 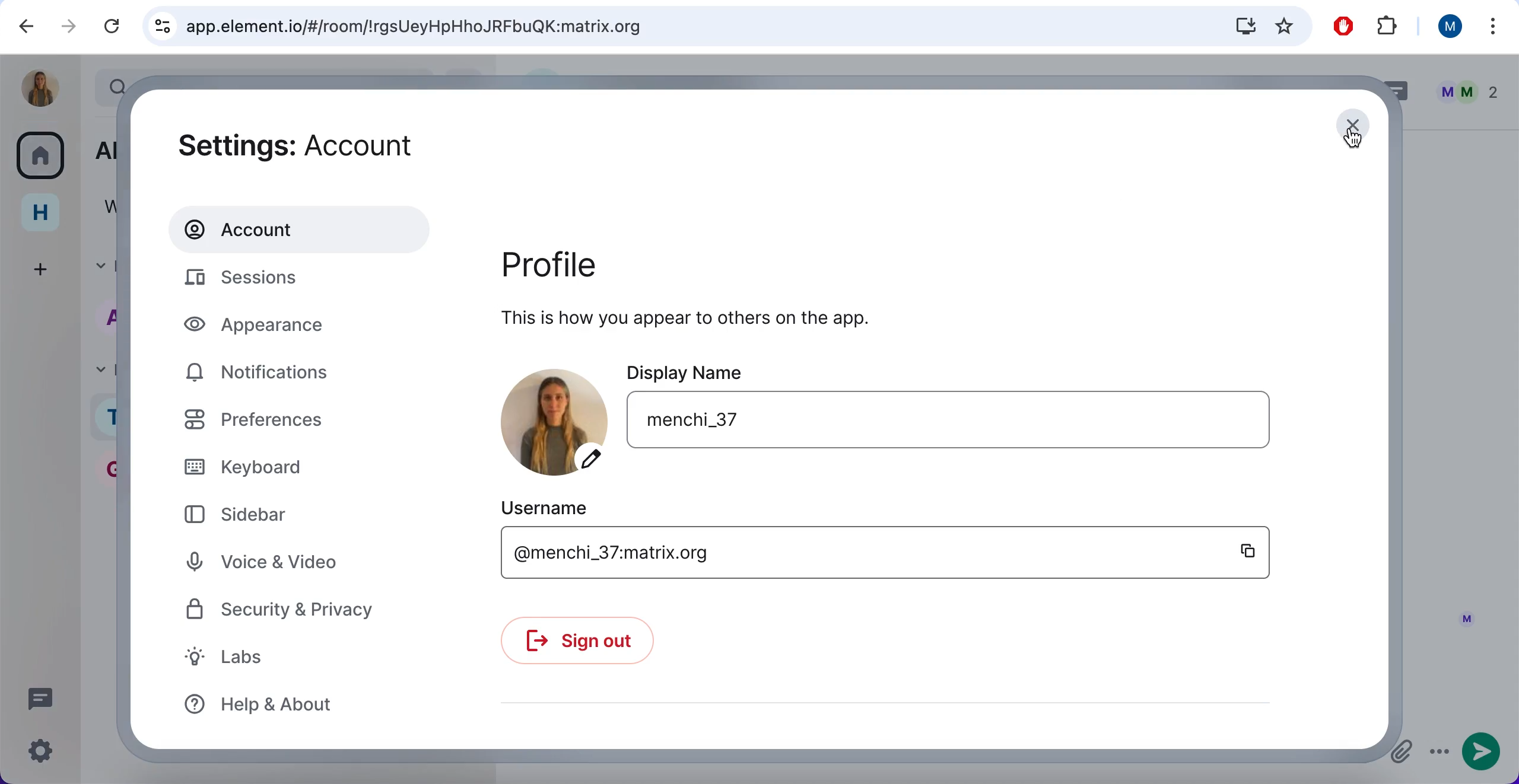 I want to click on voice and video, so click(x=303, y=564).